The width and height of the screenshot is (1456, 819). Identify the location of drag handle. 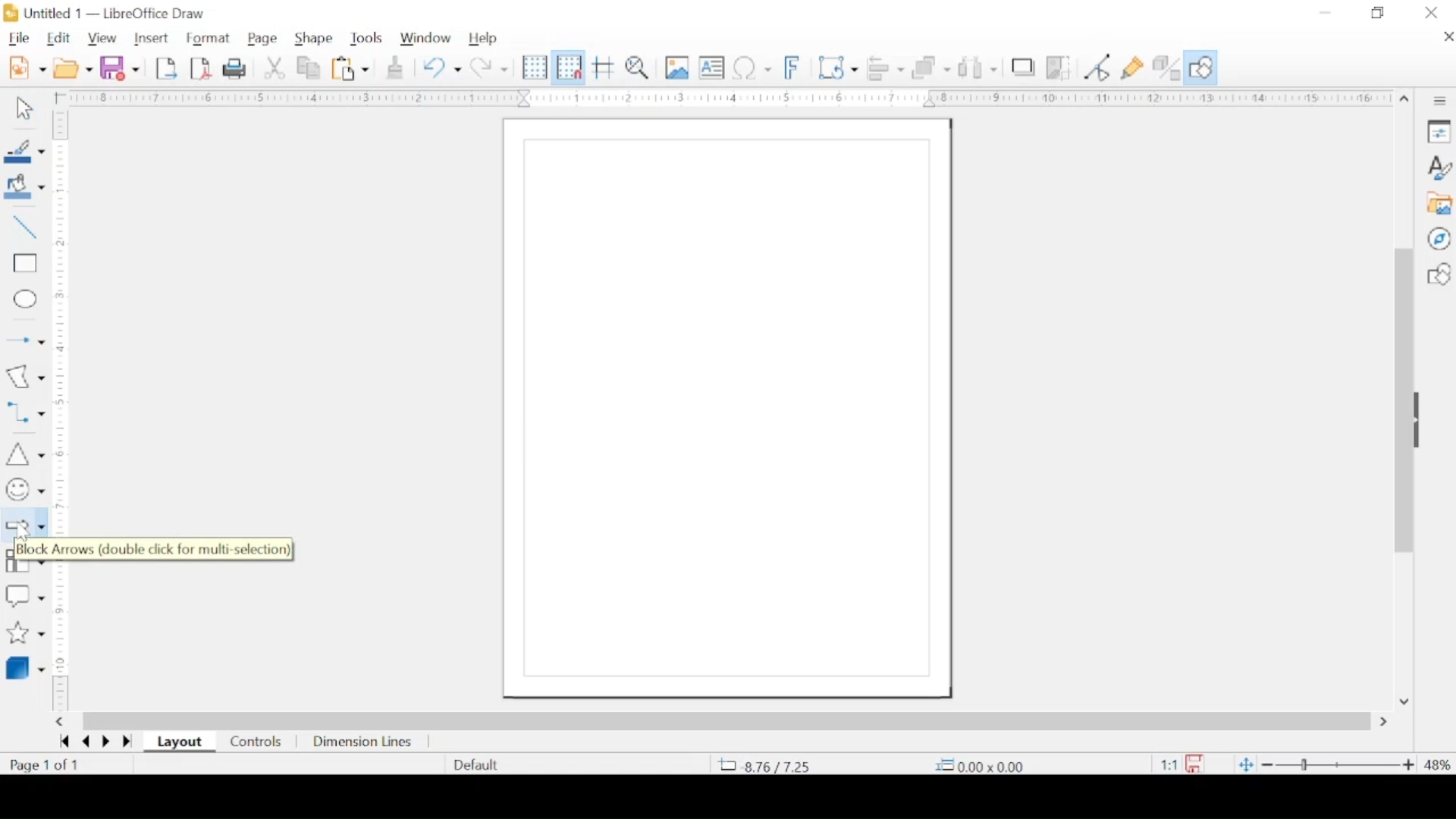
(1421, 419).